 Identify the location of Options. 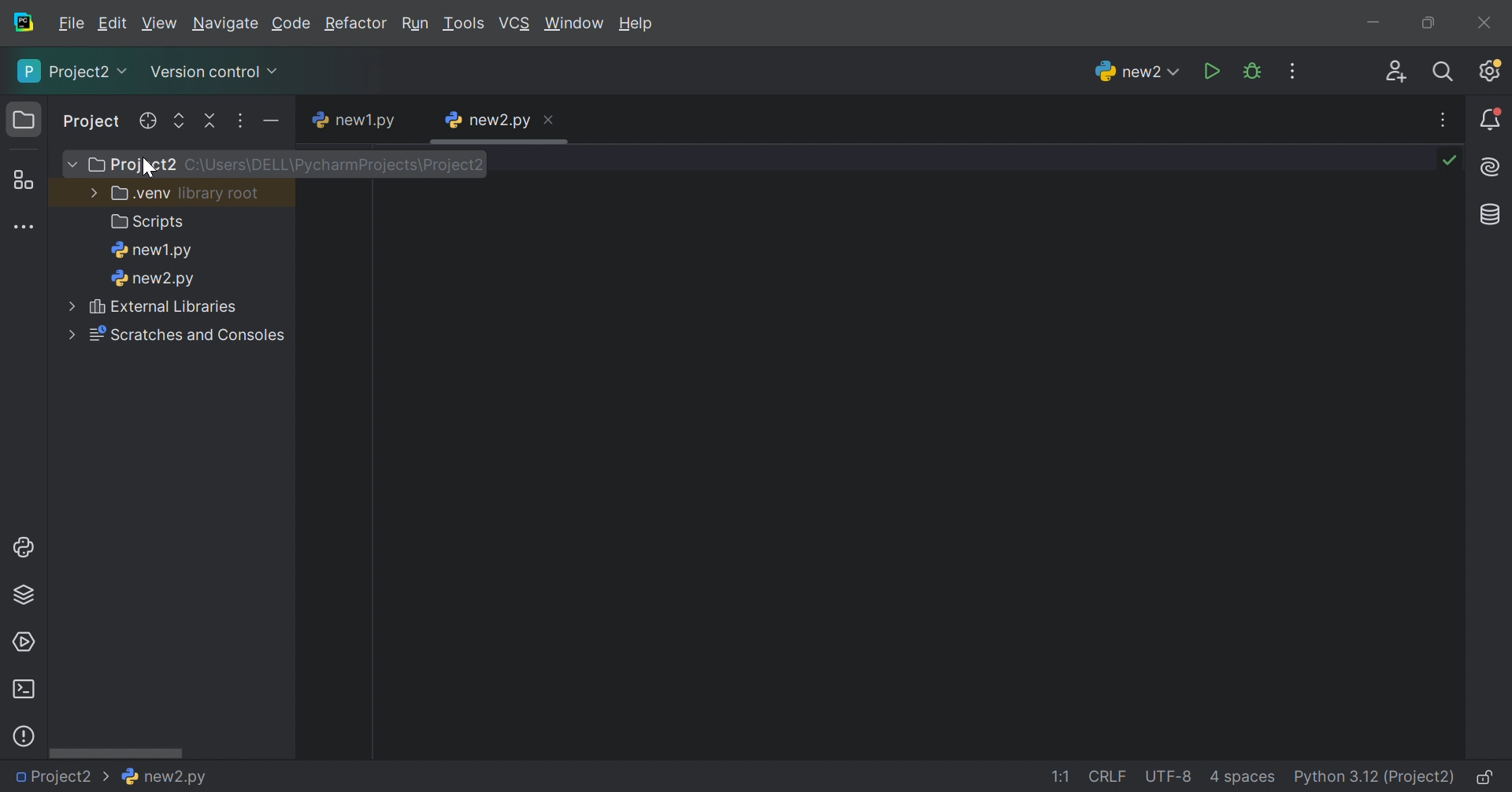
(240, 121).